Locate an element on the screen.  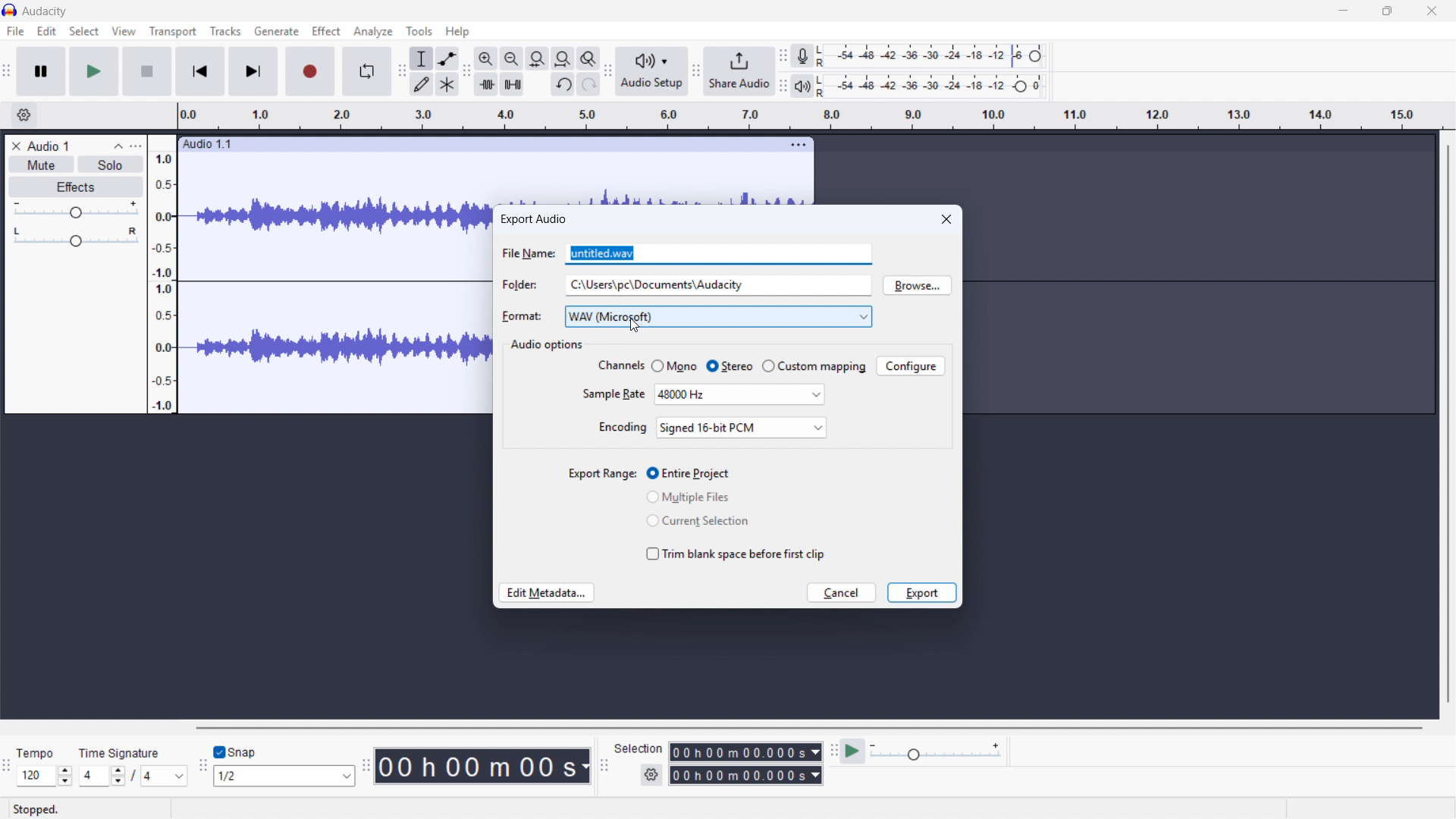
Skip to last  is located at coordinates (253, 71).